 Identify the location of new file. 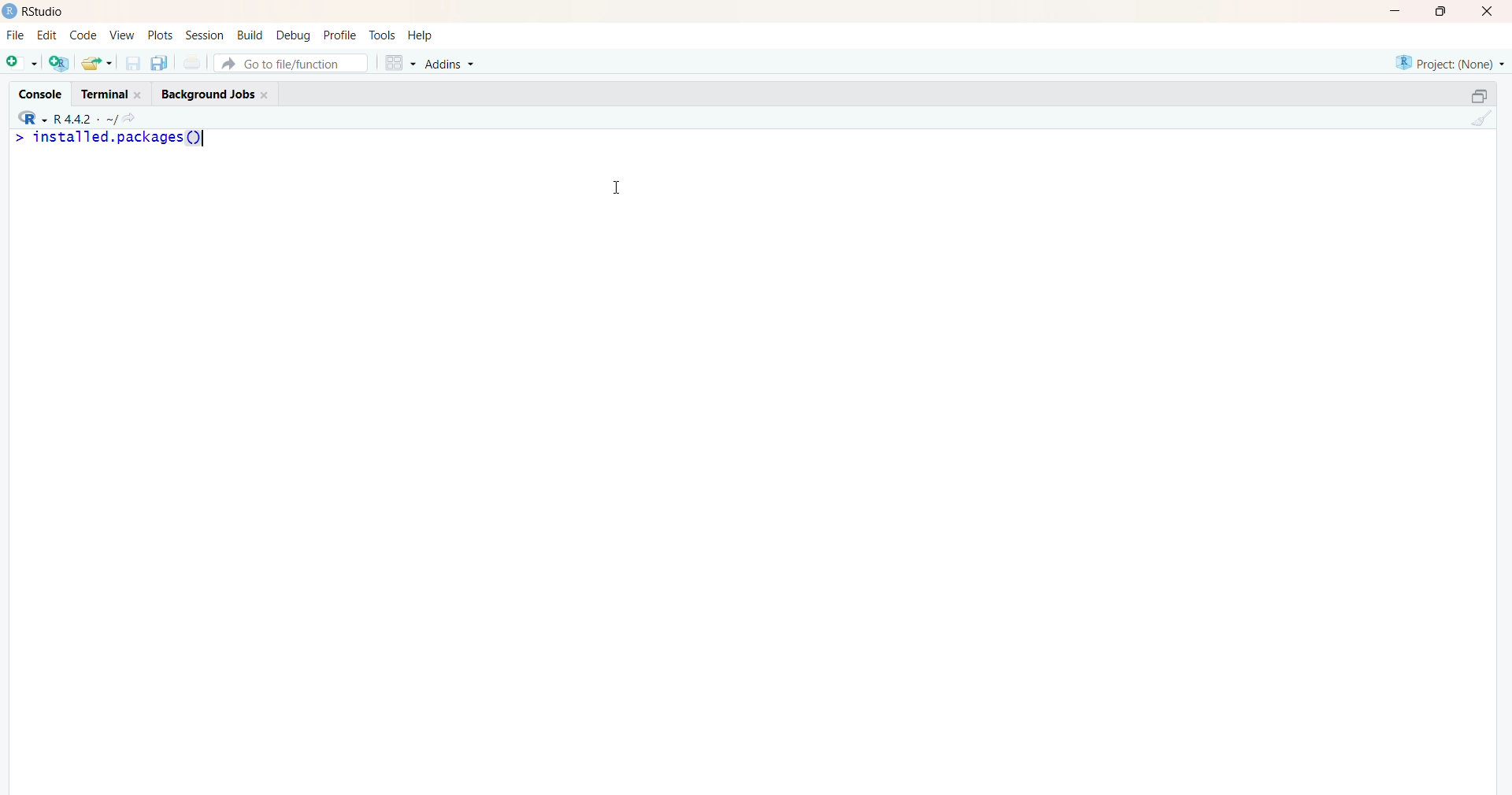
(21, 65).